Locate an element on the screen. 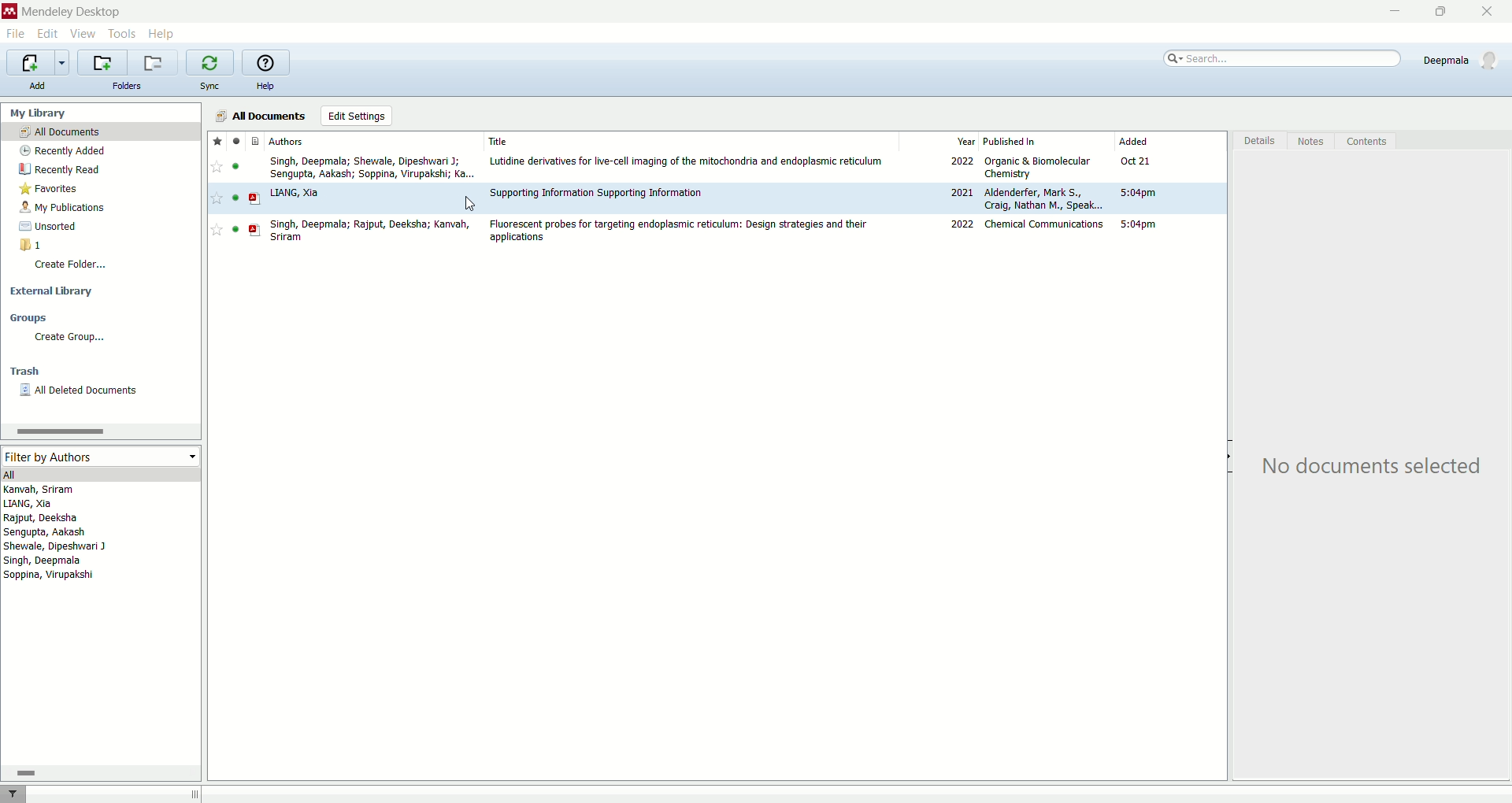  file is located at coordinates (19, 35).